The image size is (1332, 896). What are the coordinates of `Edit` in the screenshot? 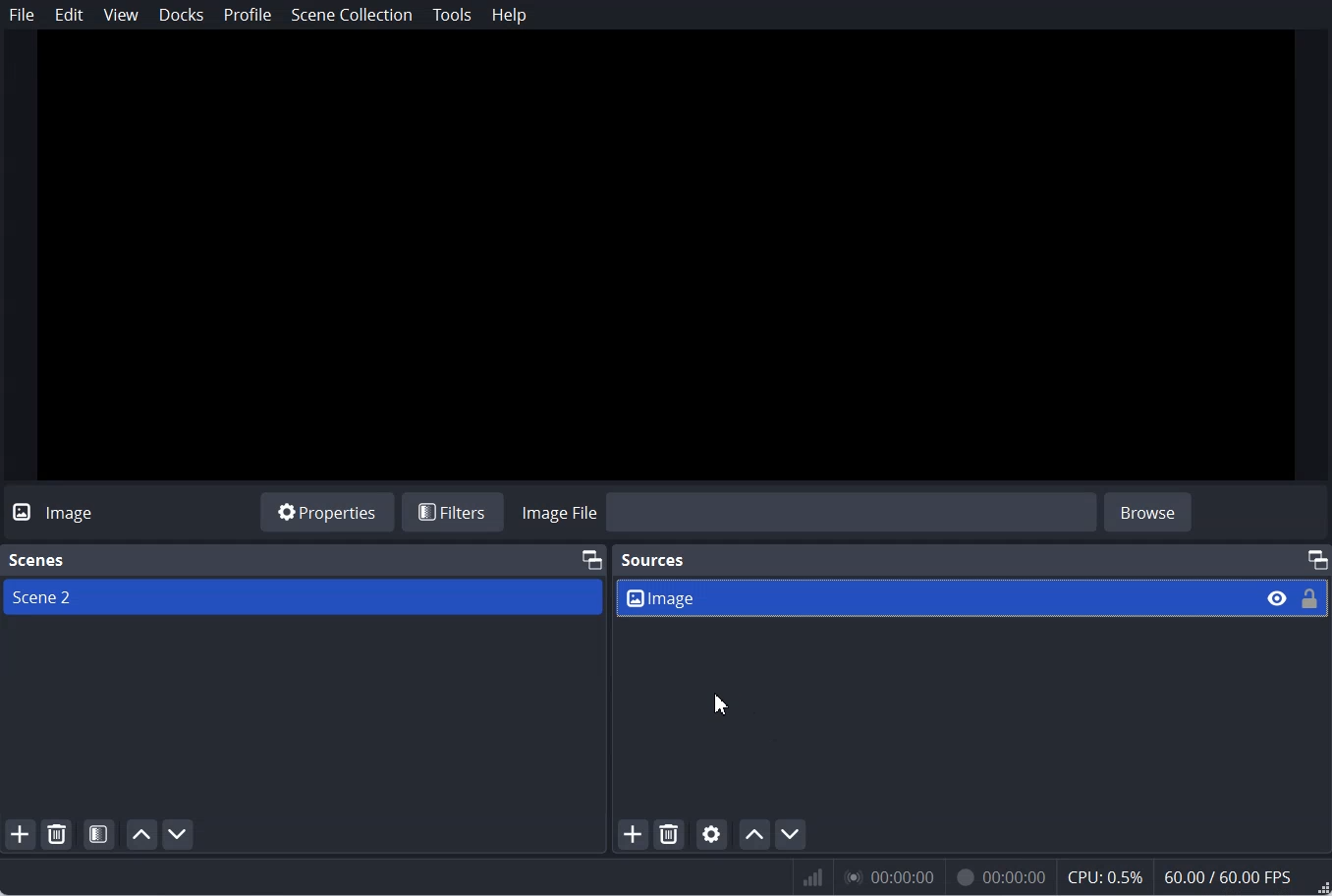 It's located at (70, 15).